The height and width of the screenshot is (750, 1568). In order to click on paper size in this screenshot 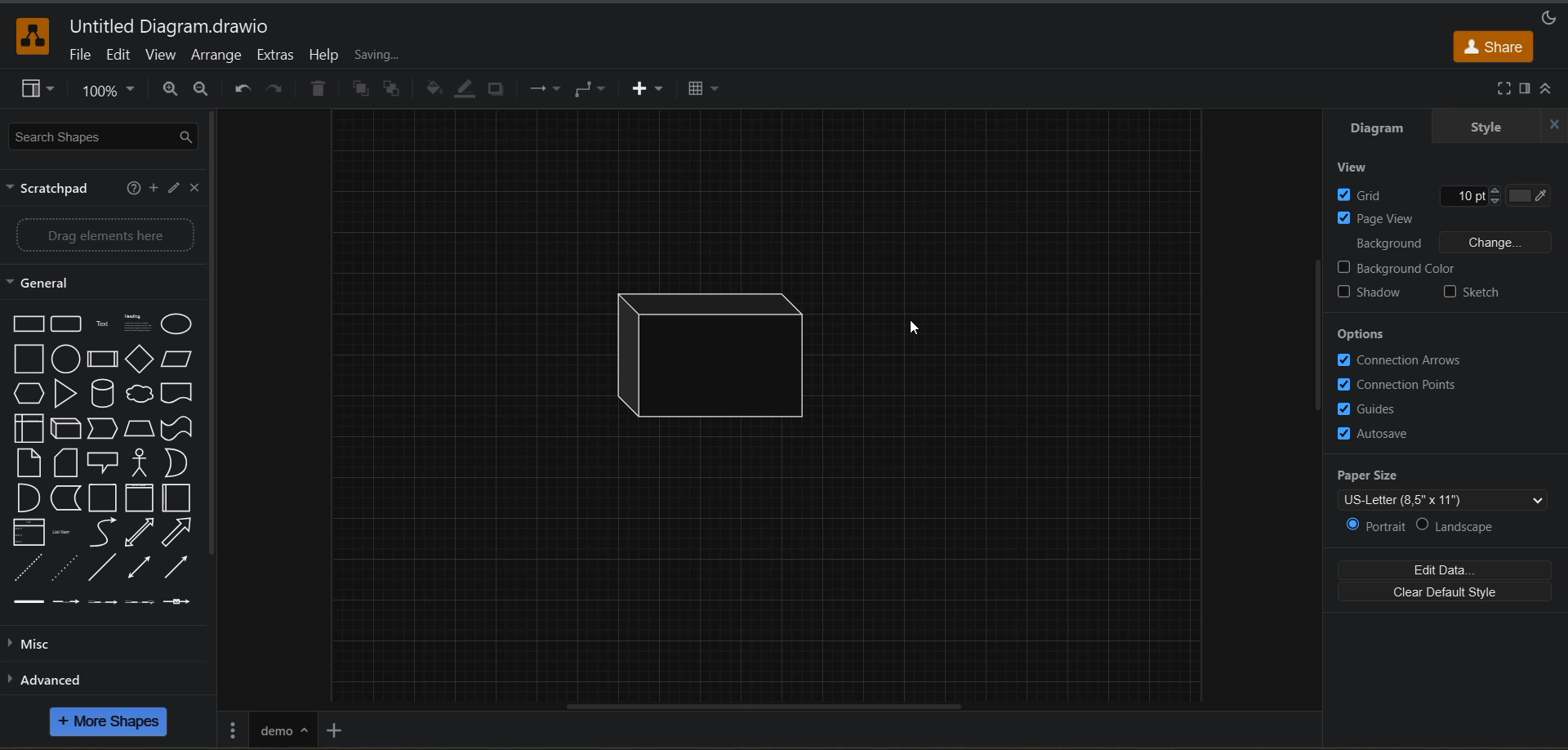, I will do `click(1452, 488)`.